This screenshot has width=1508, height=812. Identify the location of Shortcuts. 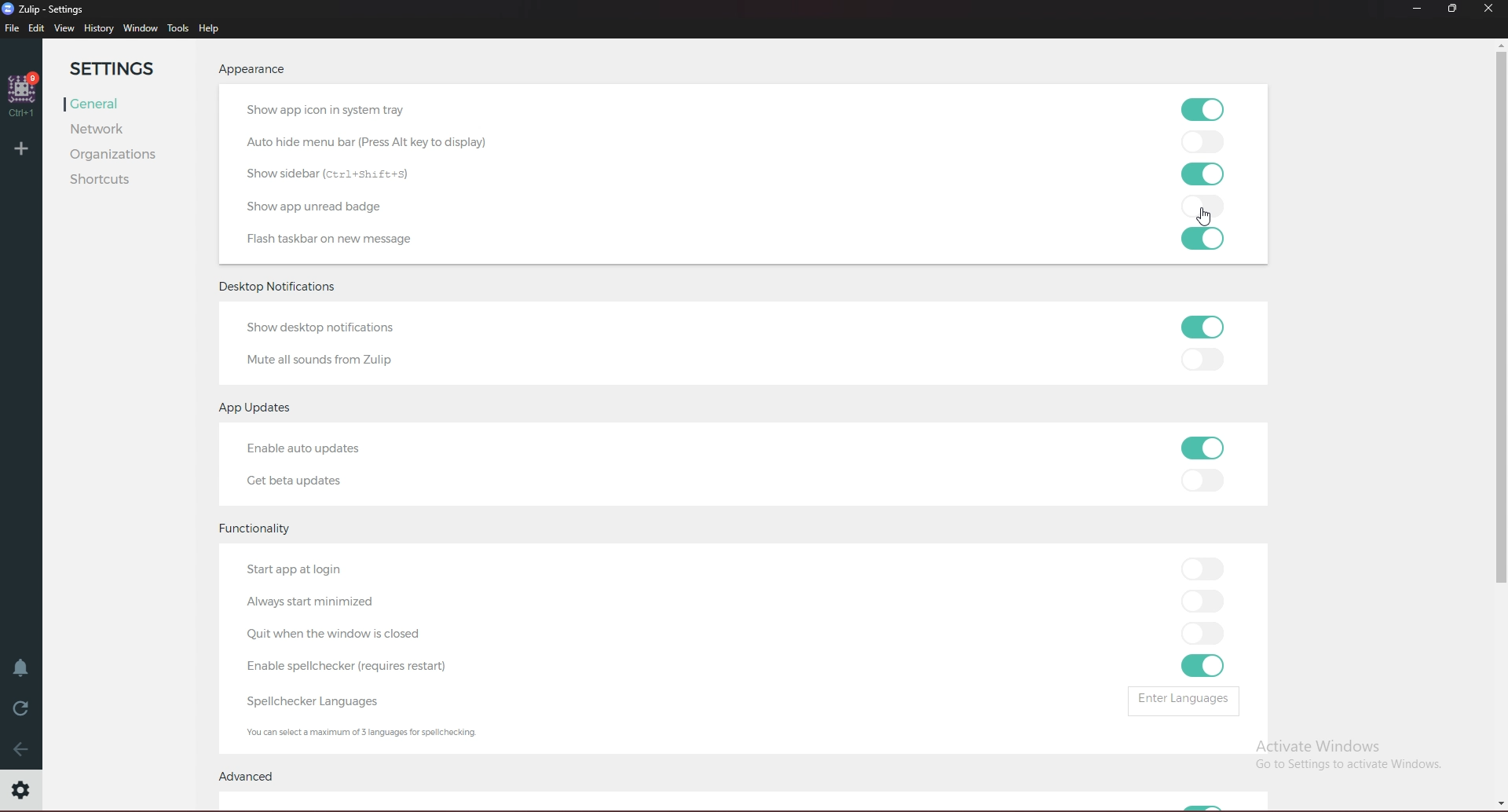
(119, 179).